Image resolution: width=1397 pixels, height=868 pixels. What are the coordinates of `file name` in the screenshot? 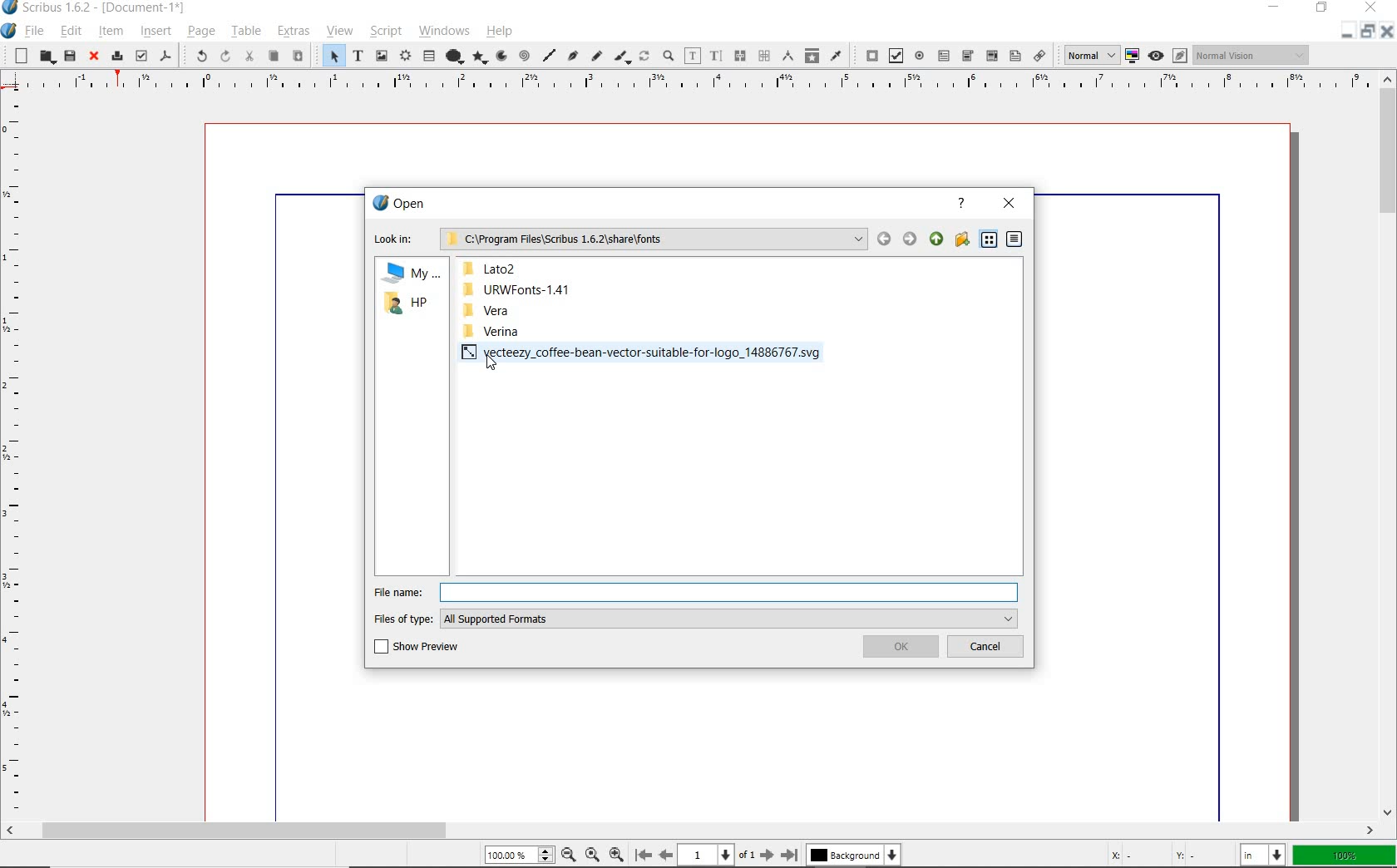 It's located at (694, 594).